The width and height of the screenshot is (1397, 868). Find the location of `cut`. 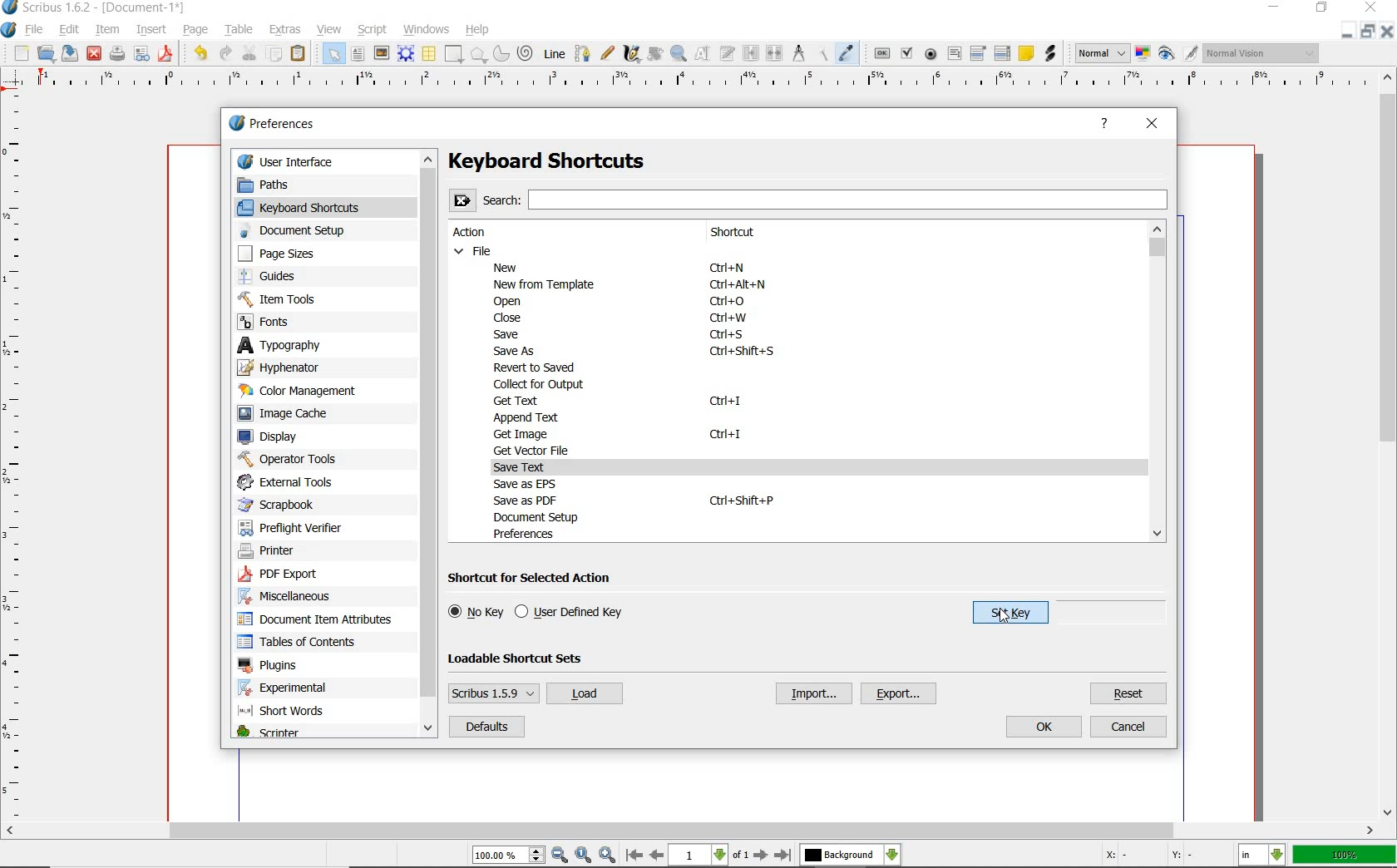

cut is located at coordinates (251, 52).